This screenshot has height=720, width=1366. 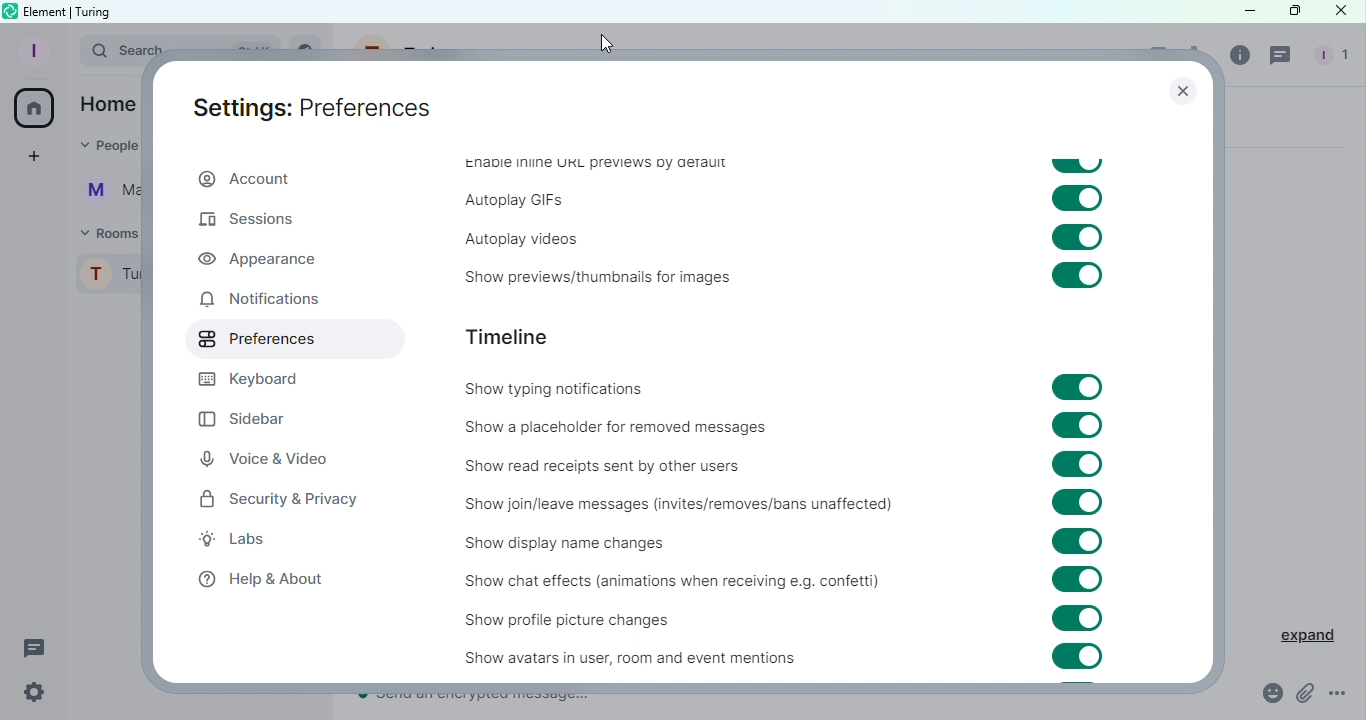 I want to click on Cursor, so click(x=1341, y=12).